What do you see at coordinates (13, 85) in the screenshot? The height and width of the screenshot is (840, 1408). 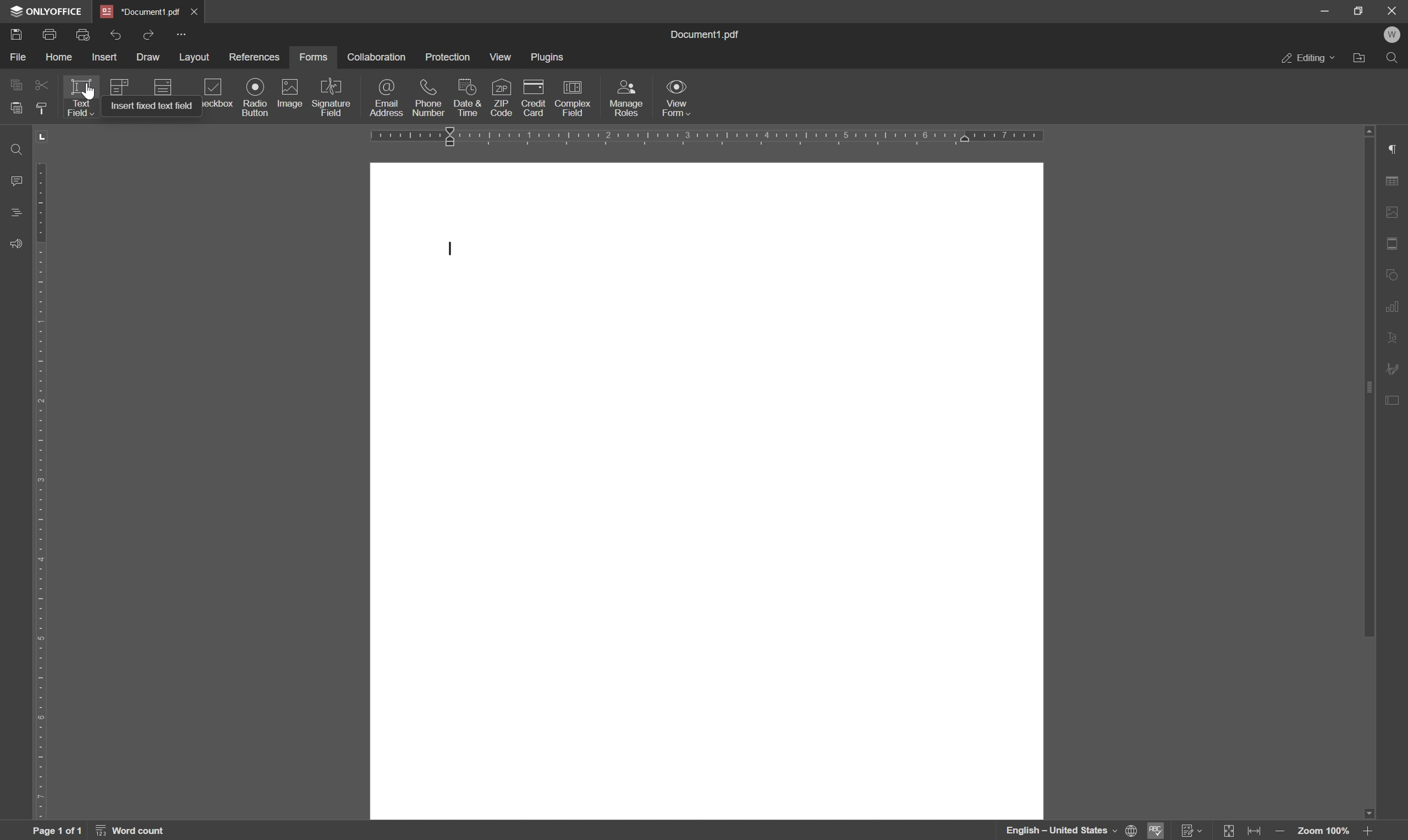 I see `copy` at bounding box center [13, 85].